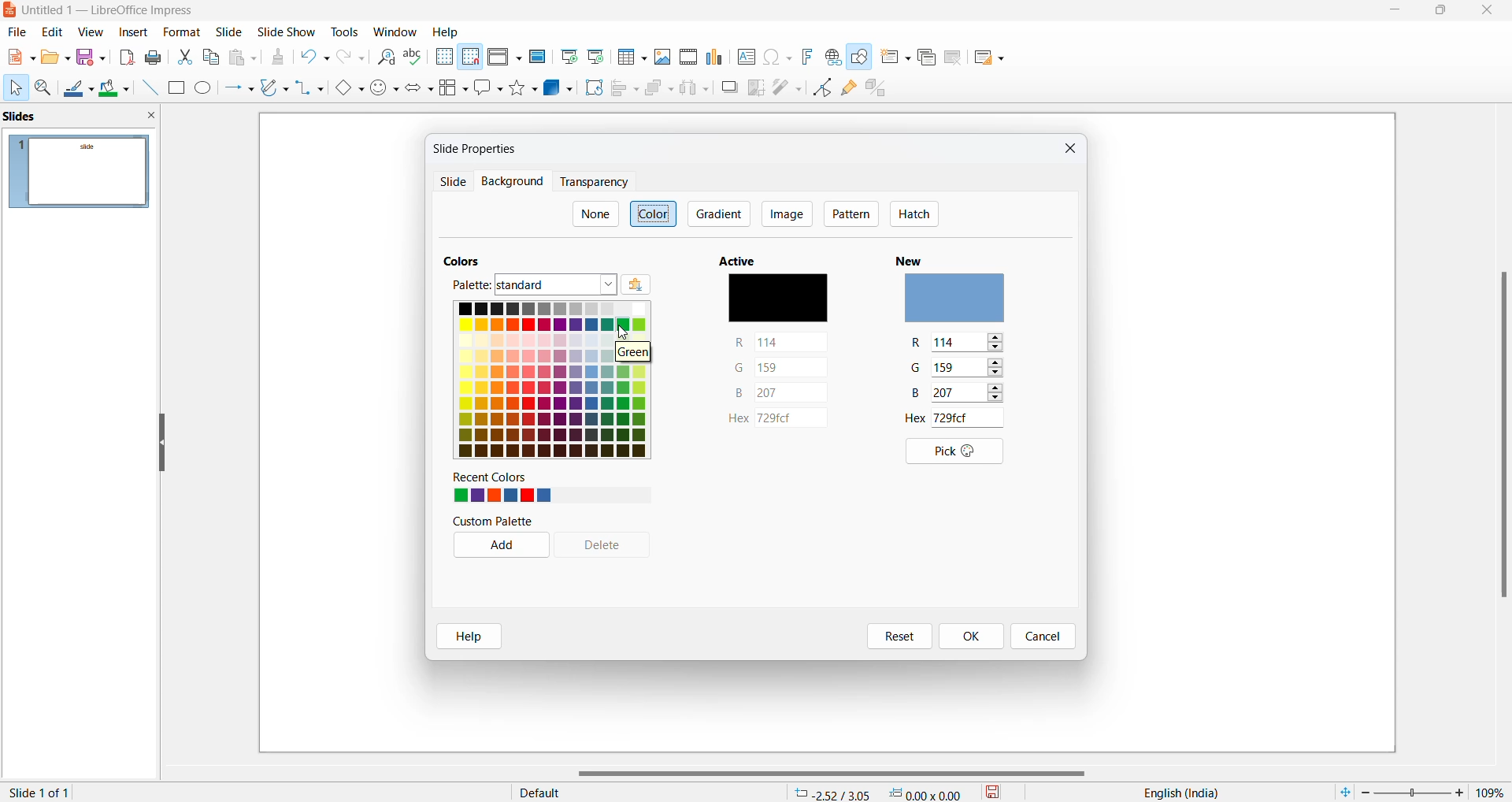  Describe the element at coordinates (976, 636) in the screenshot. I see `ok` at that location.